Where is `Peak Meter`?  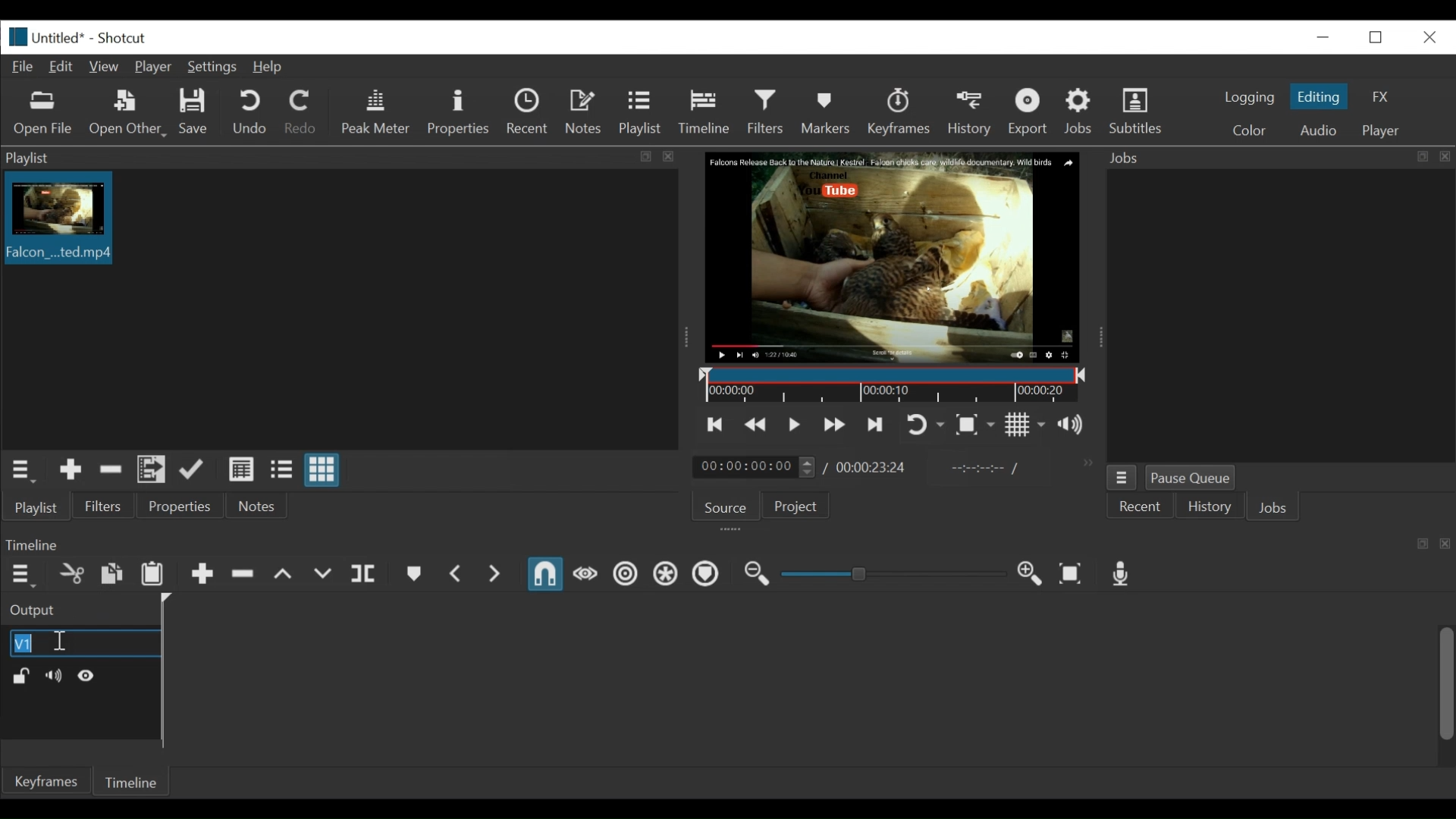
Peak Meter is located at coordinates (375, 112).